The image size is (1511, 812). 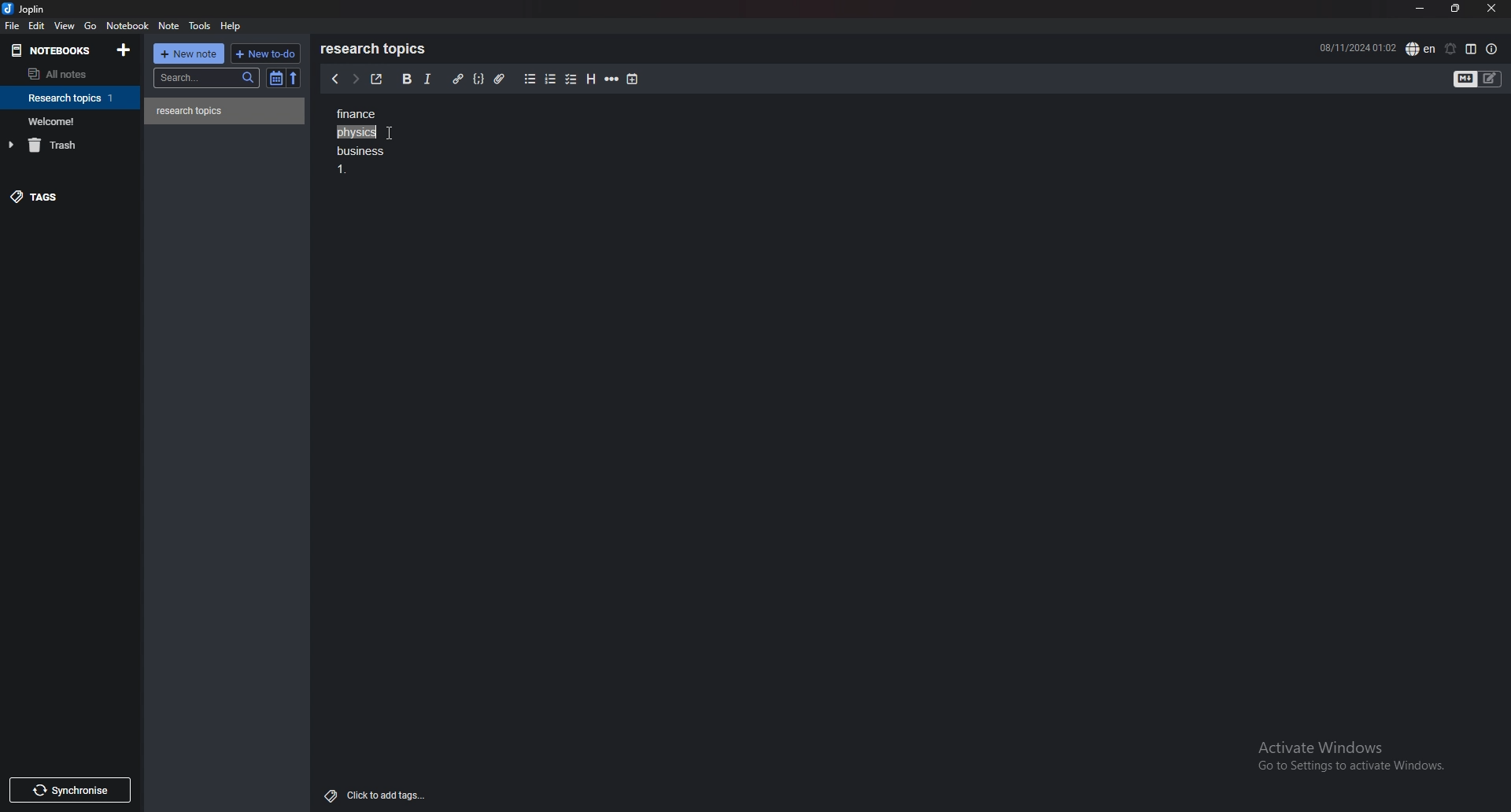 I want to click on Business 1., so click(x=365, y=164).